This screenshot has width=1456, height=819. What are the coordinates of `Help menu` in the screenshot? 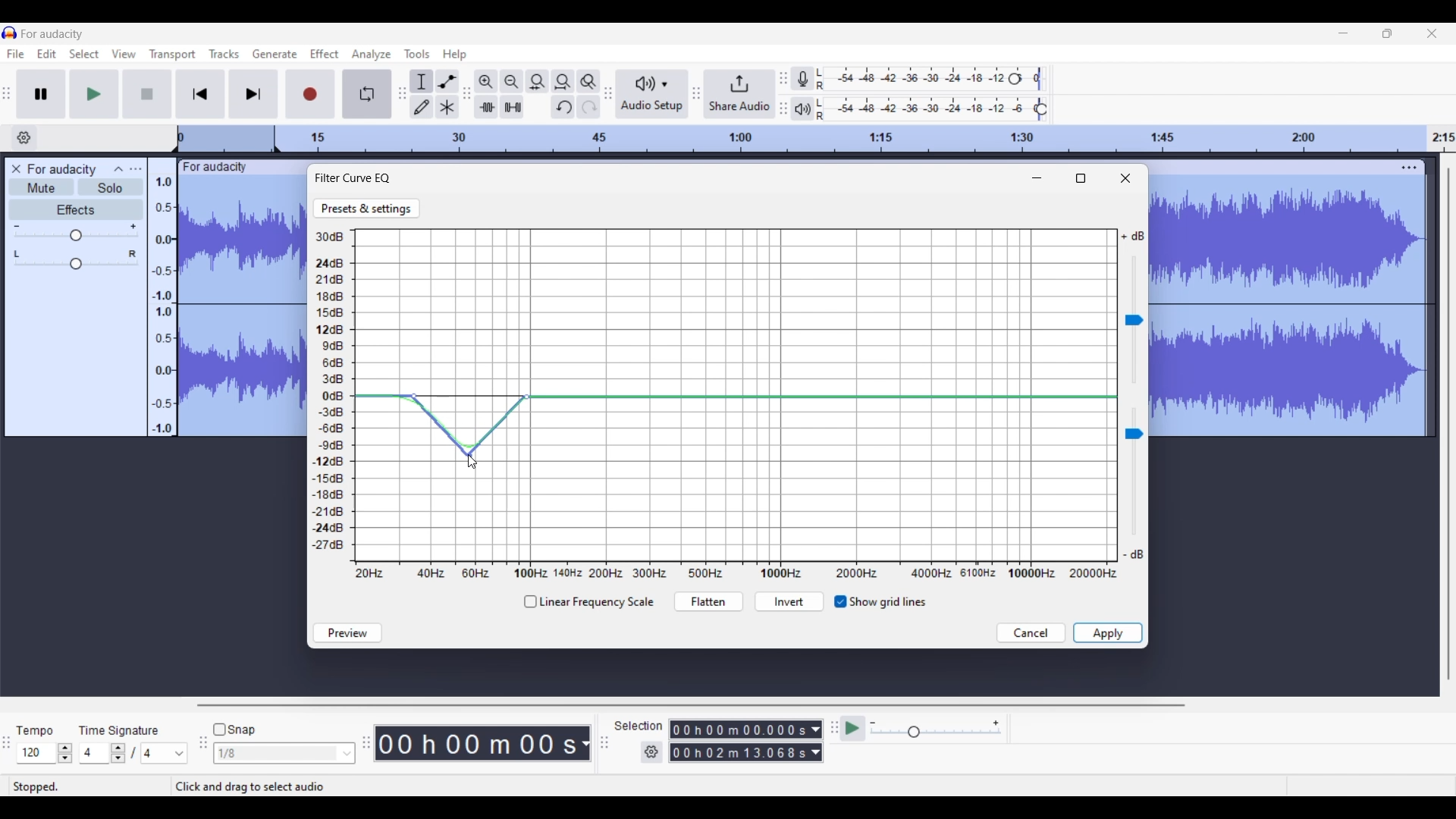 It's located at (454, 55).